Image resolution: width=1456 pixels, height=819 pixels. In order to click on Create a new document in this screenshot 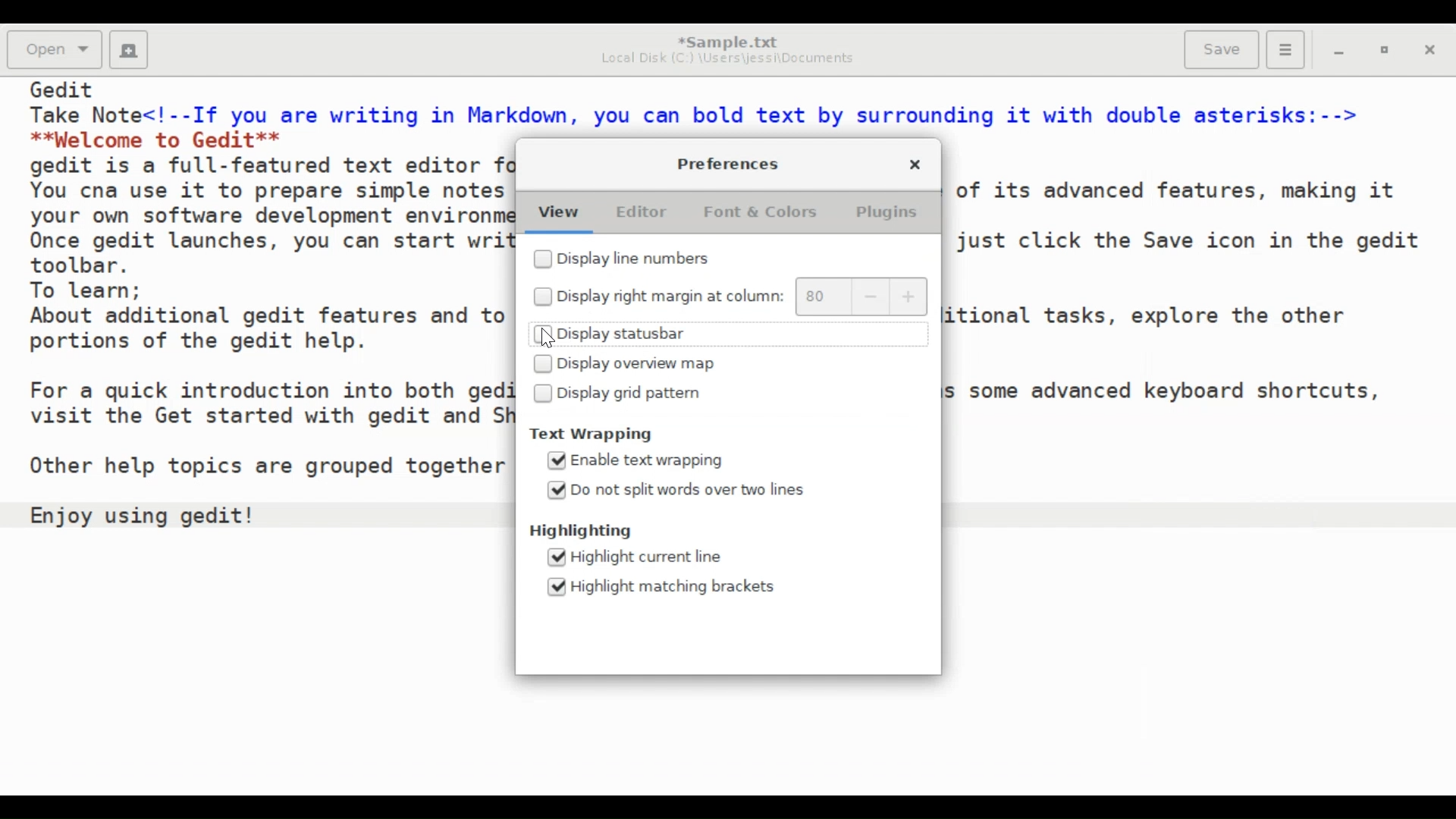, I will do `click(129, 50)`.